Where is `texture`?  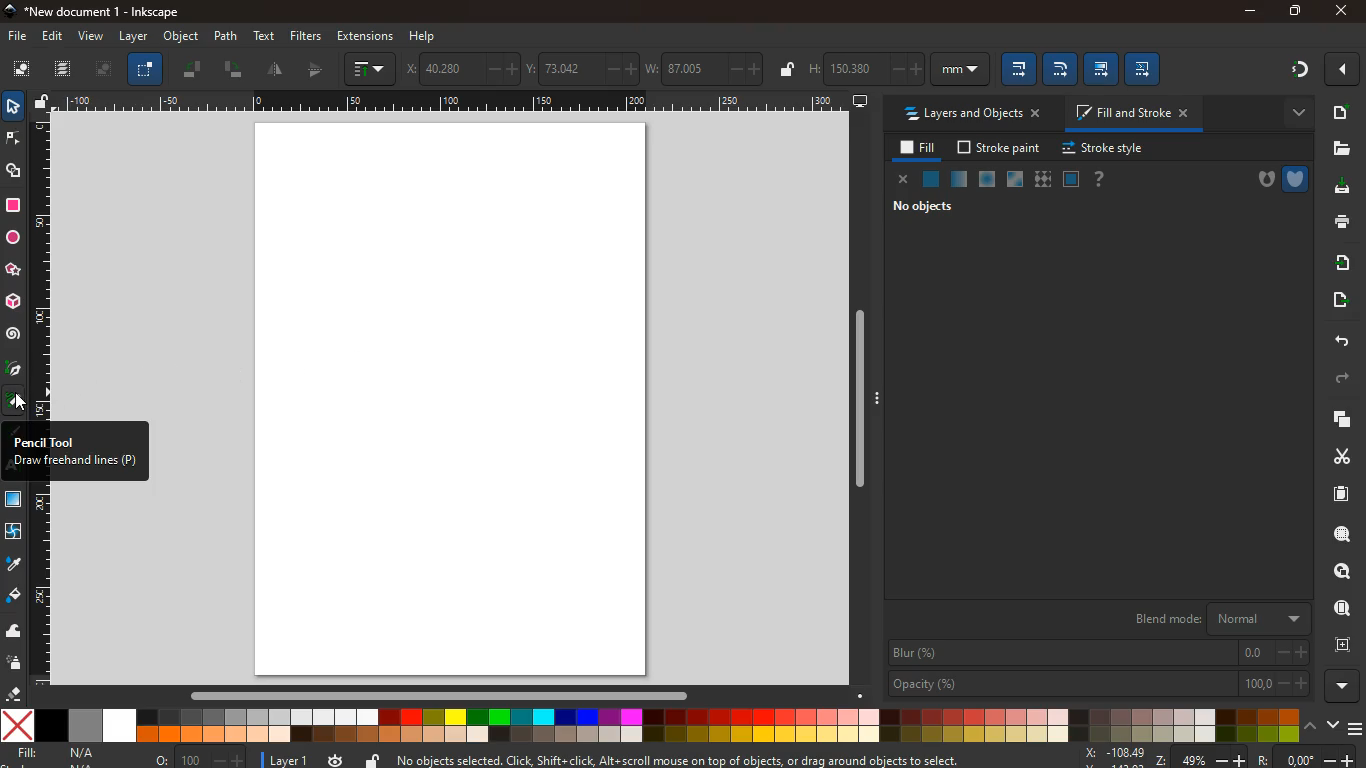 texture is located at coordinates (1042, 179).